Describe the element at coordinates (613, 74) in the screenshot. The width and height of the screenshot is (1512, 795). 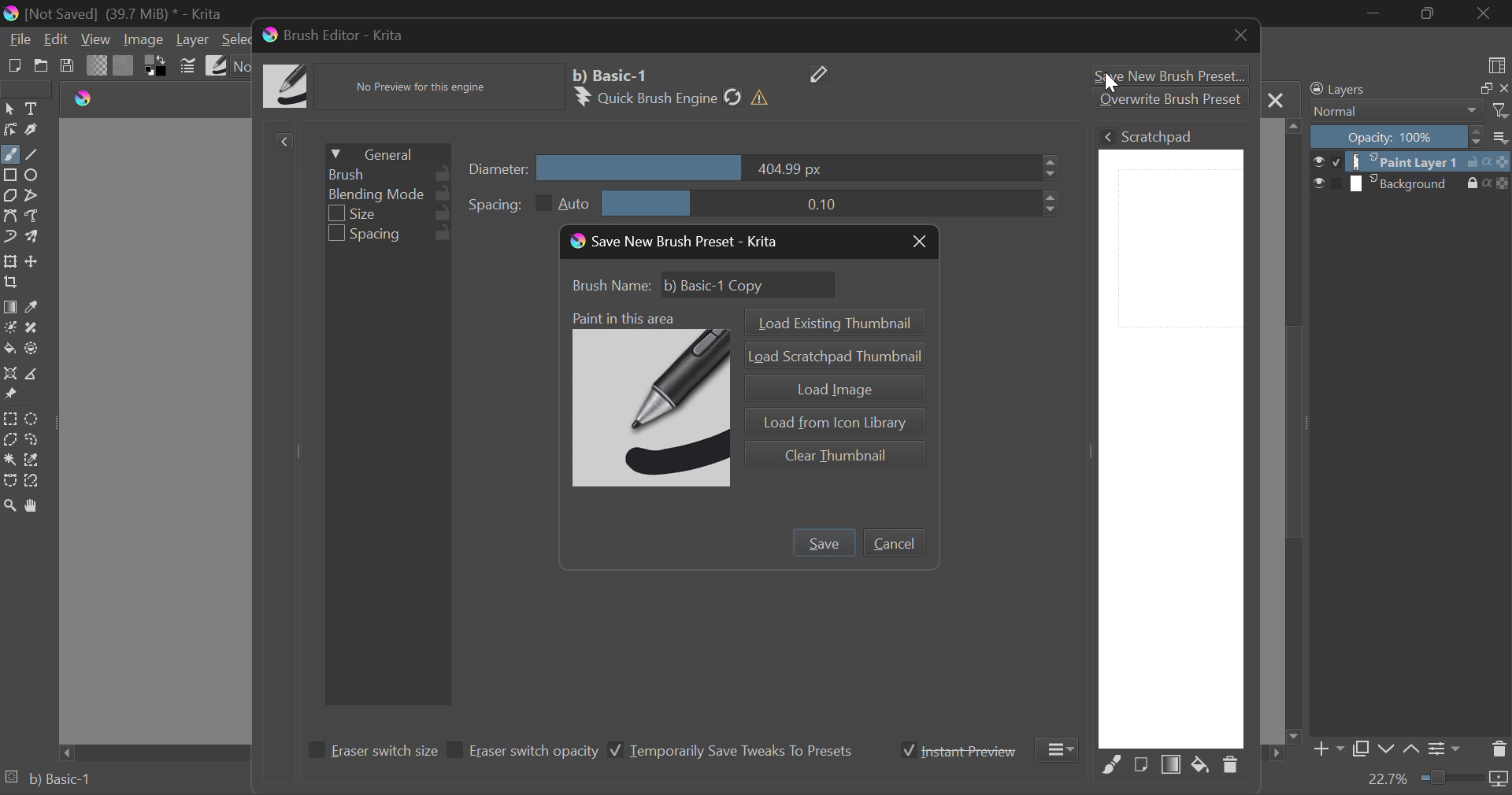
I see `Selected Brush` at that location.